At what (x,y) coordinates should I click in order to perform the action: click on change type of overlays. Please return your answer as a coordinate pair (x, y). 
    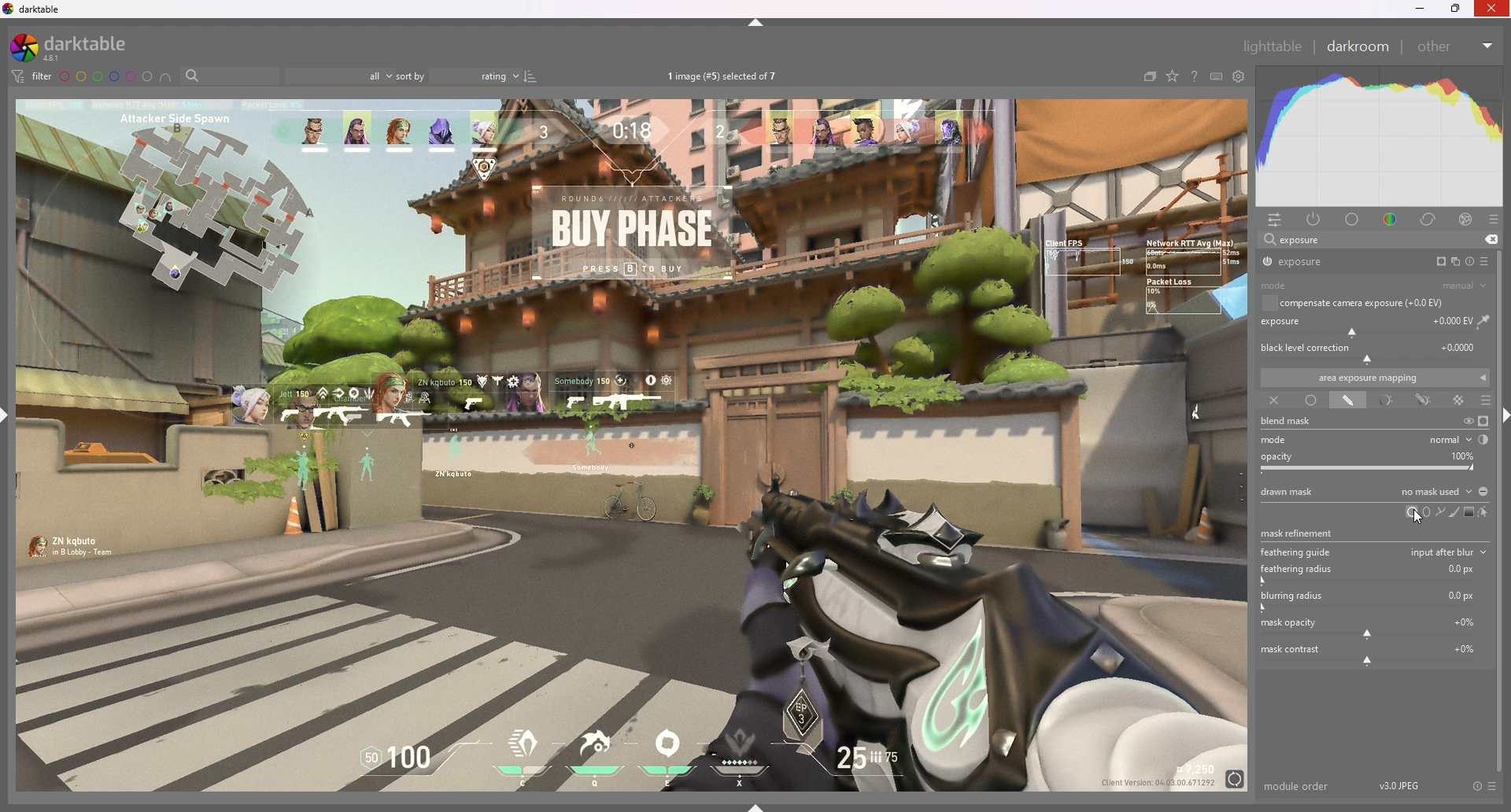
    Looking at the image, I should click on (1173, 76).